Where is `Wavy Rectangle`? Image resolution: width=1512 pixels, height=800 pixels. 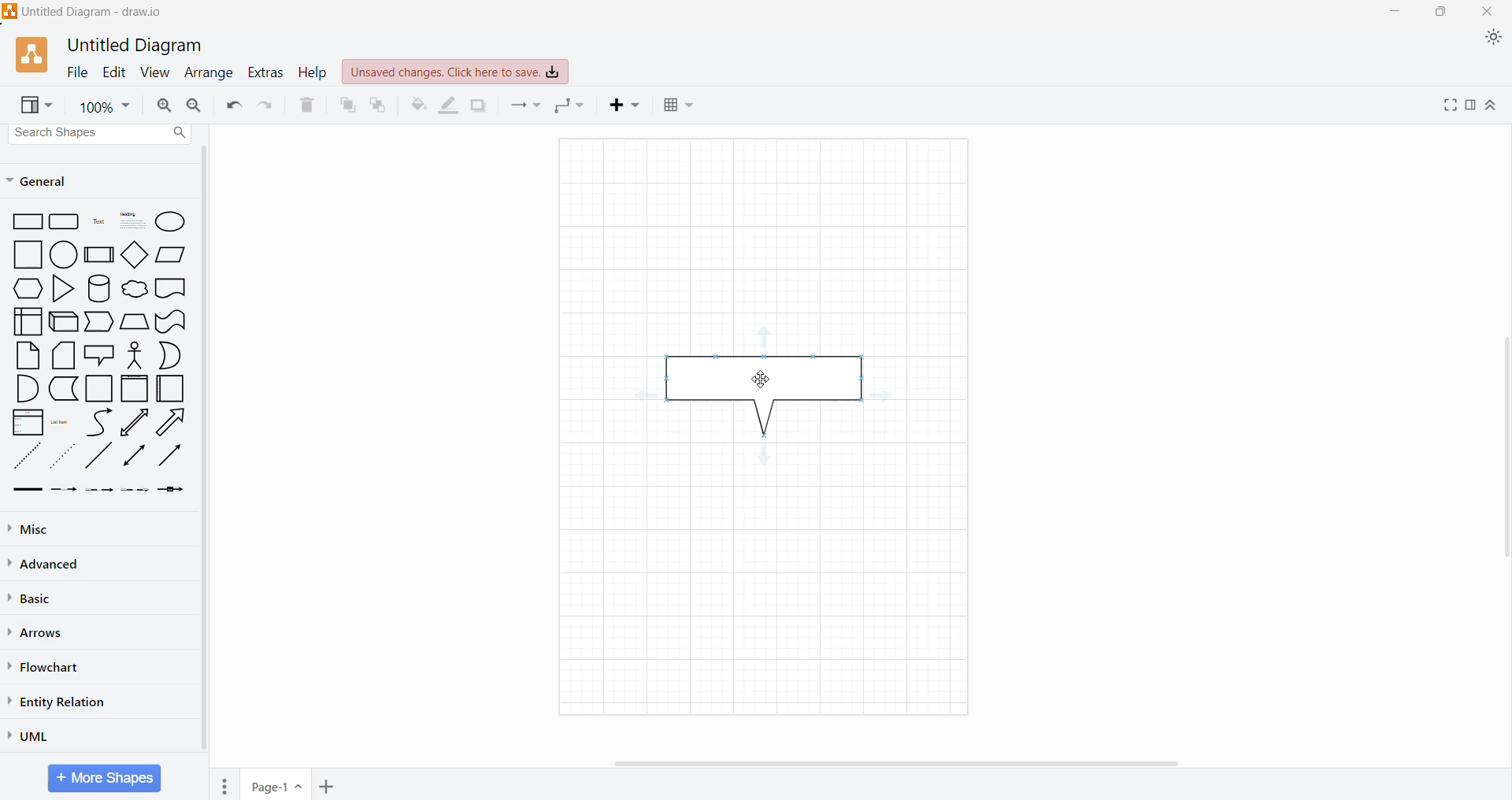 Wavy Rectangle is located at coordinates (171, 321).